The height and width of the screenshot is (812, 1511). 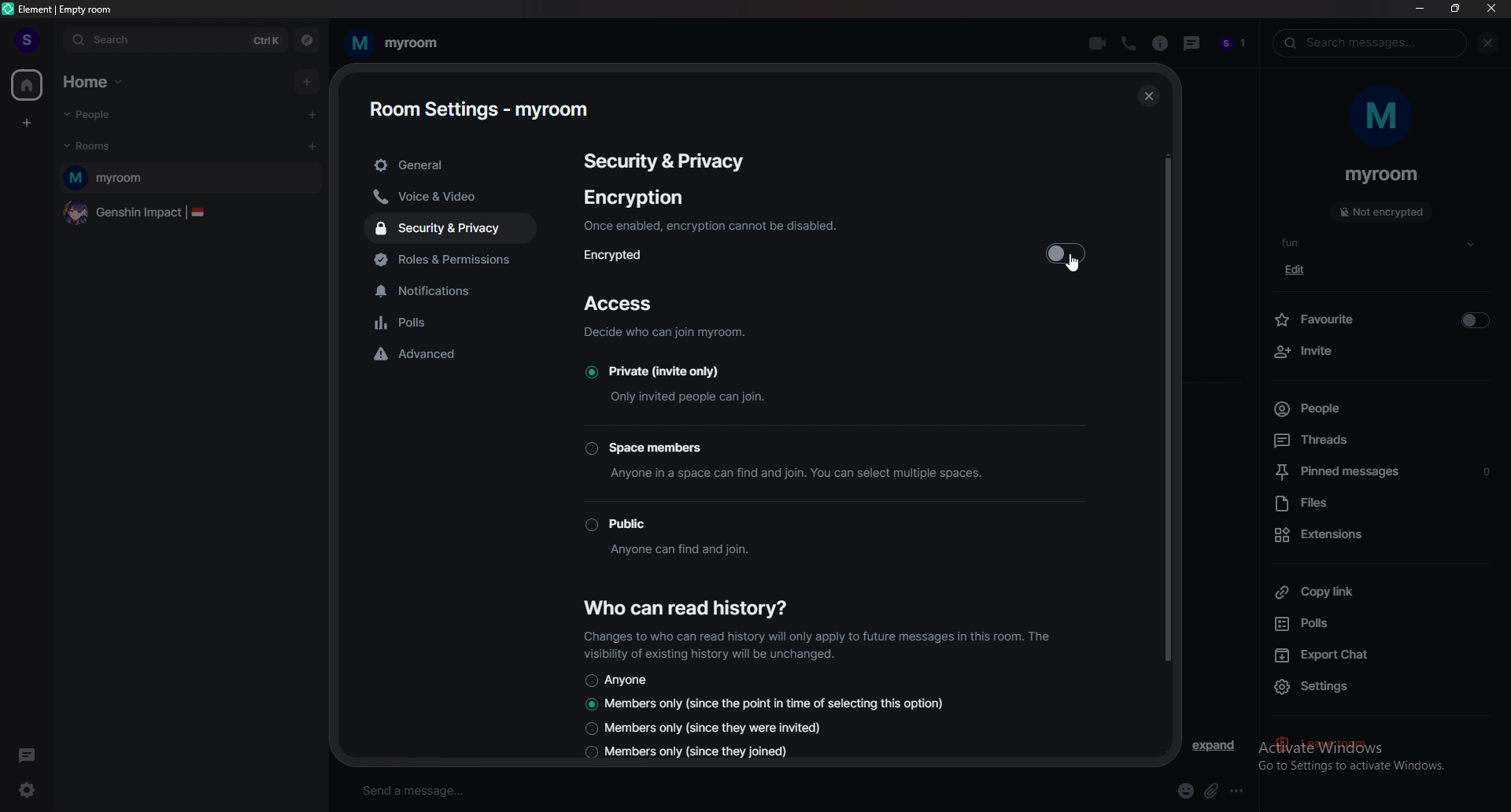 I want to click on element logo, so click(x=9, y=9).